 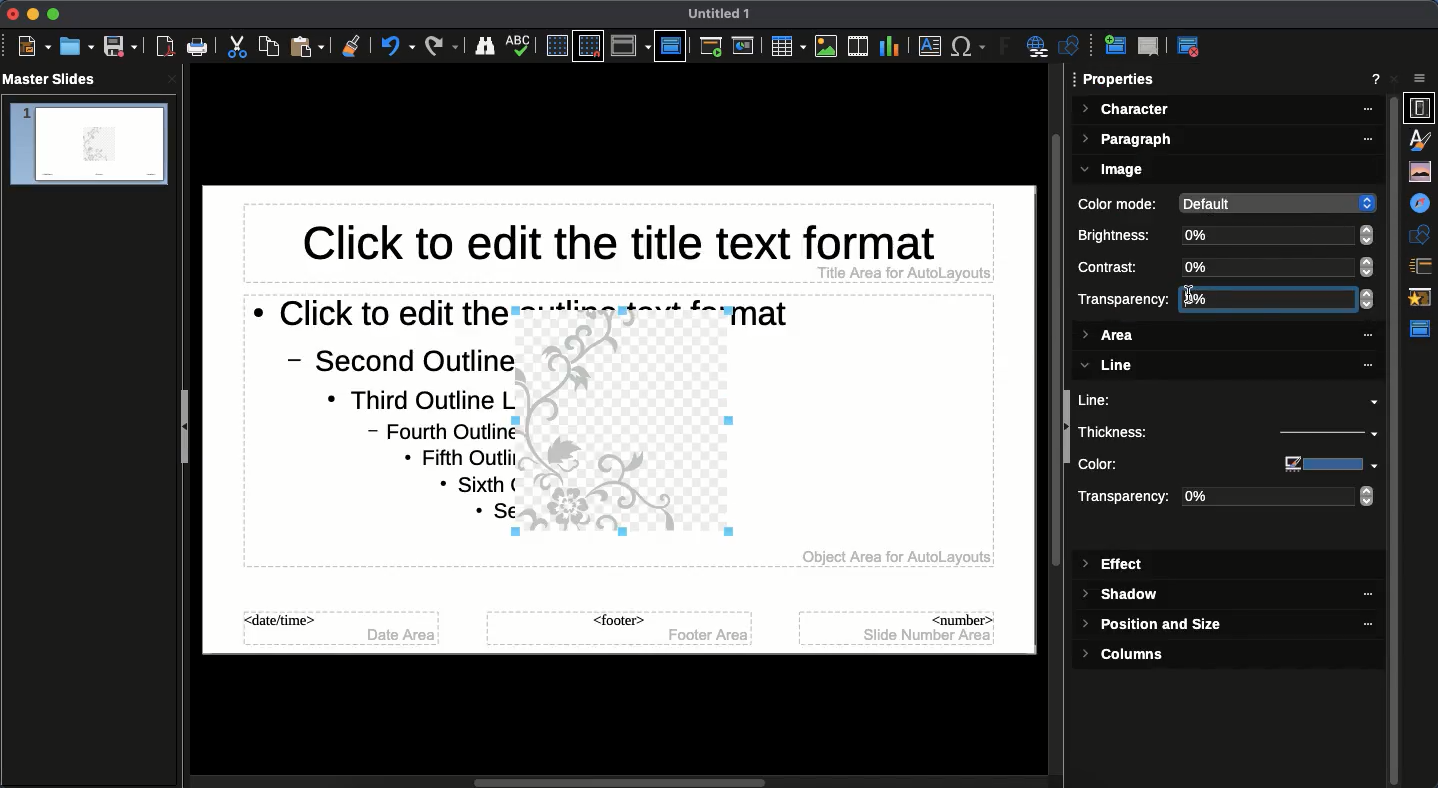 I want to click on Video audio, so click(x=856, y=47).